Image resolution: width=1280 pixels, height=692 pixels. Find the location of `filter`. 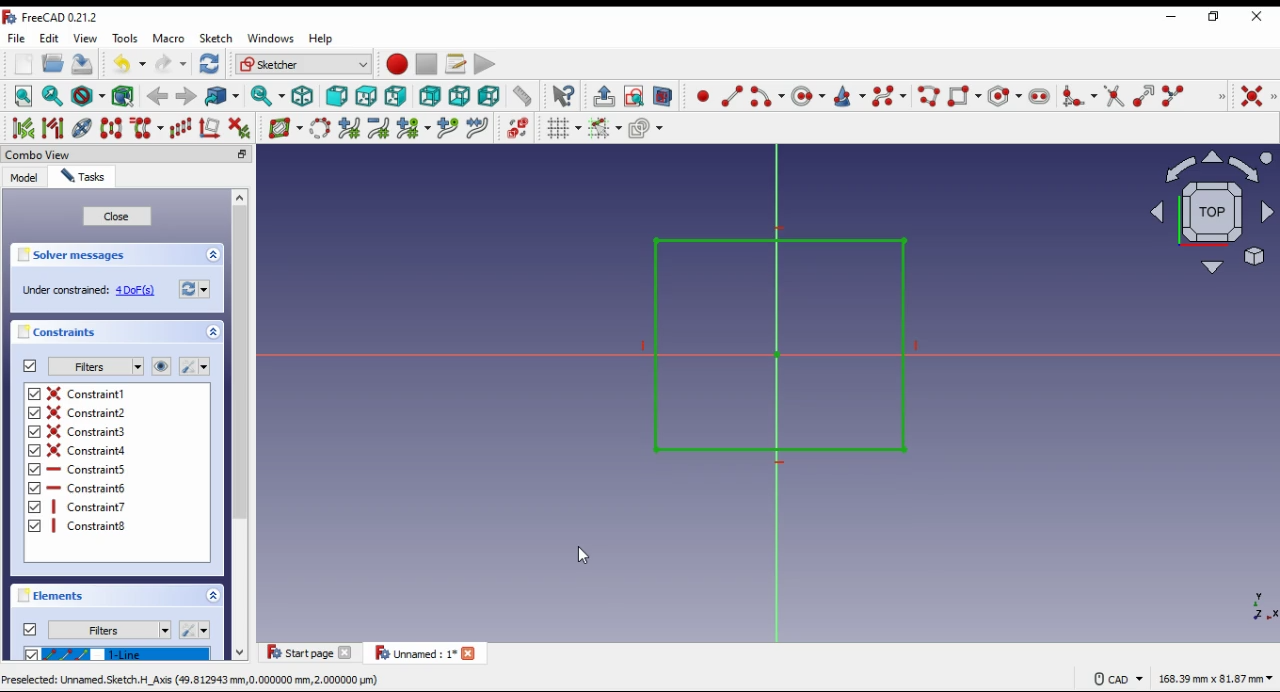

filter is located at coordinates (95, 367).